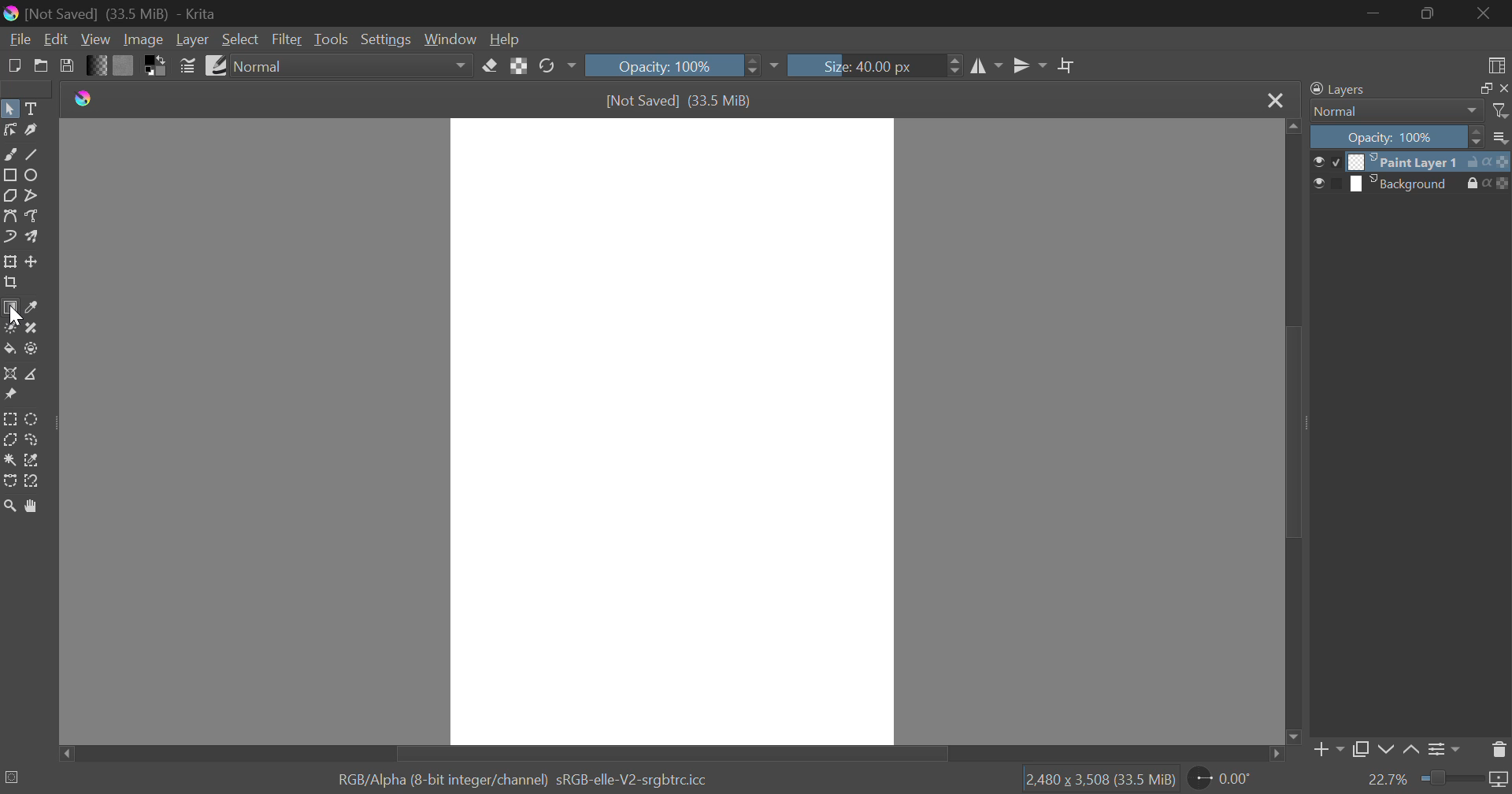 This screenshot has height=794, width=1512. Describe the element at coordinates (1291, 433) in the screenshot. I see `Scroll Bar` at that location.